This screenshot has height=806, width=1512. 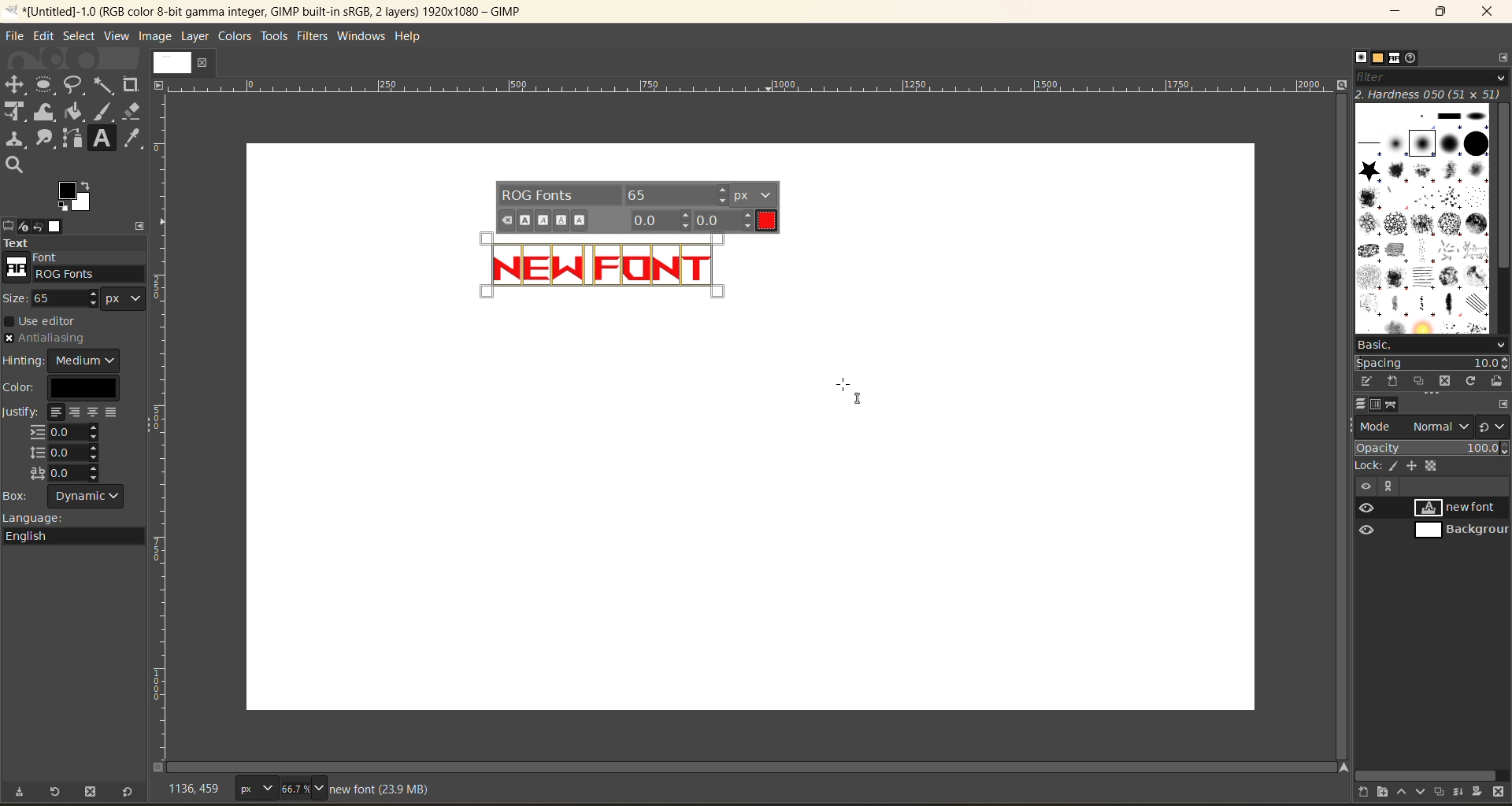 What do you see at coordinates (636, 194) in the screenshot?
I see `font settings` at bounding box center [636, 194].